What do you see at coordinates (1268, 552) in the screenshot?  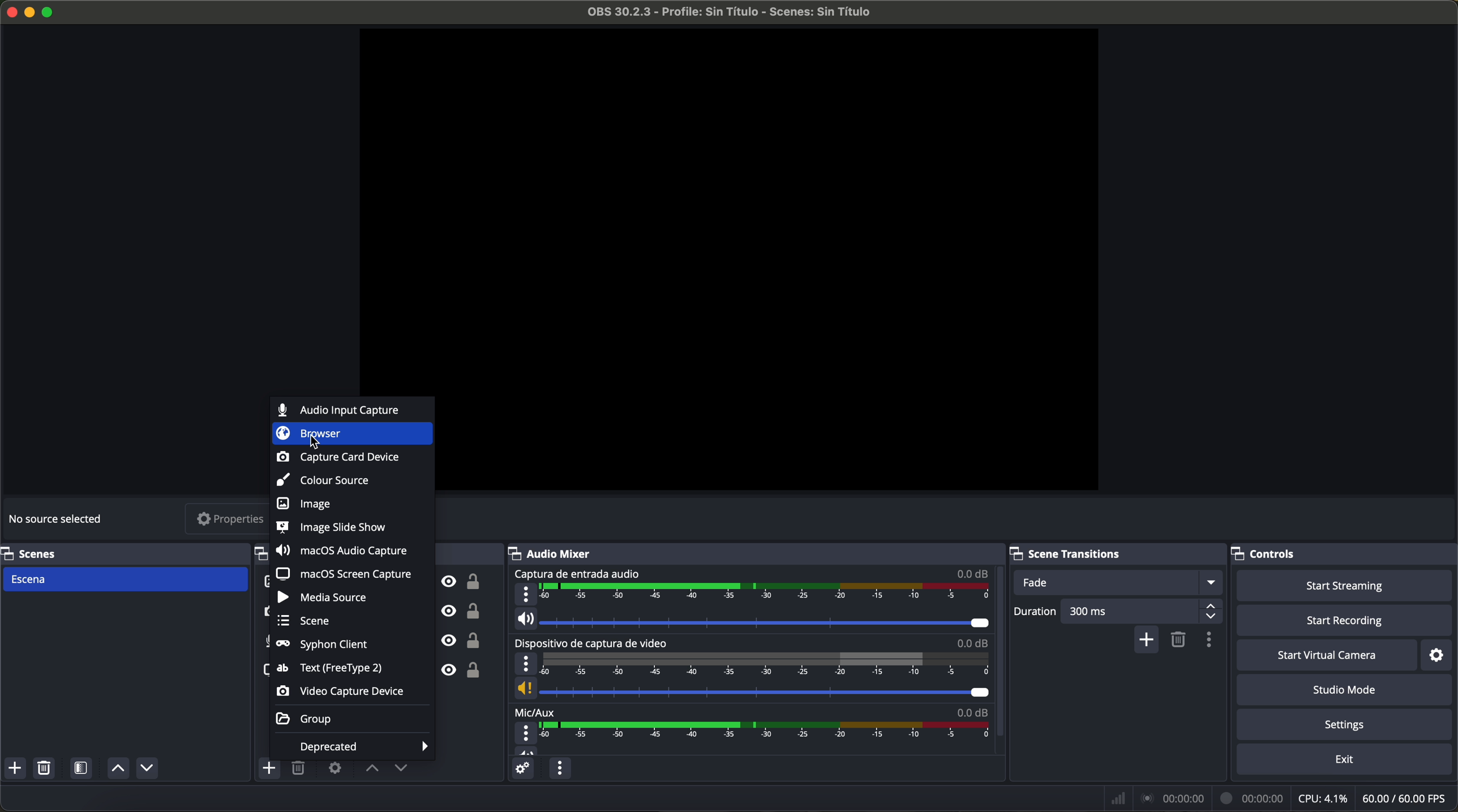 I see `controls` at bounding box center [1268, 552].